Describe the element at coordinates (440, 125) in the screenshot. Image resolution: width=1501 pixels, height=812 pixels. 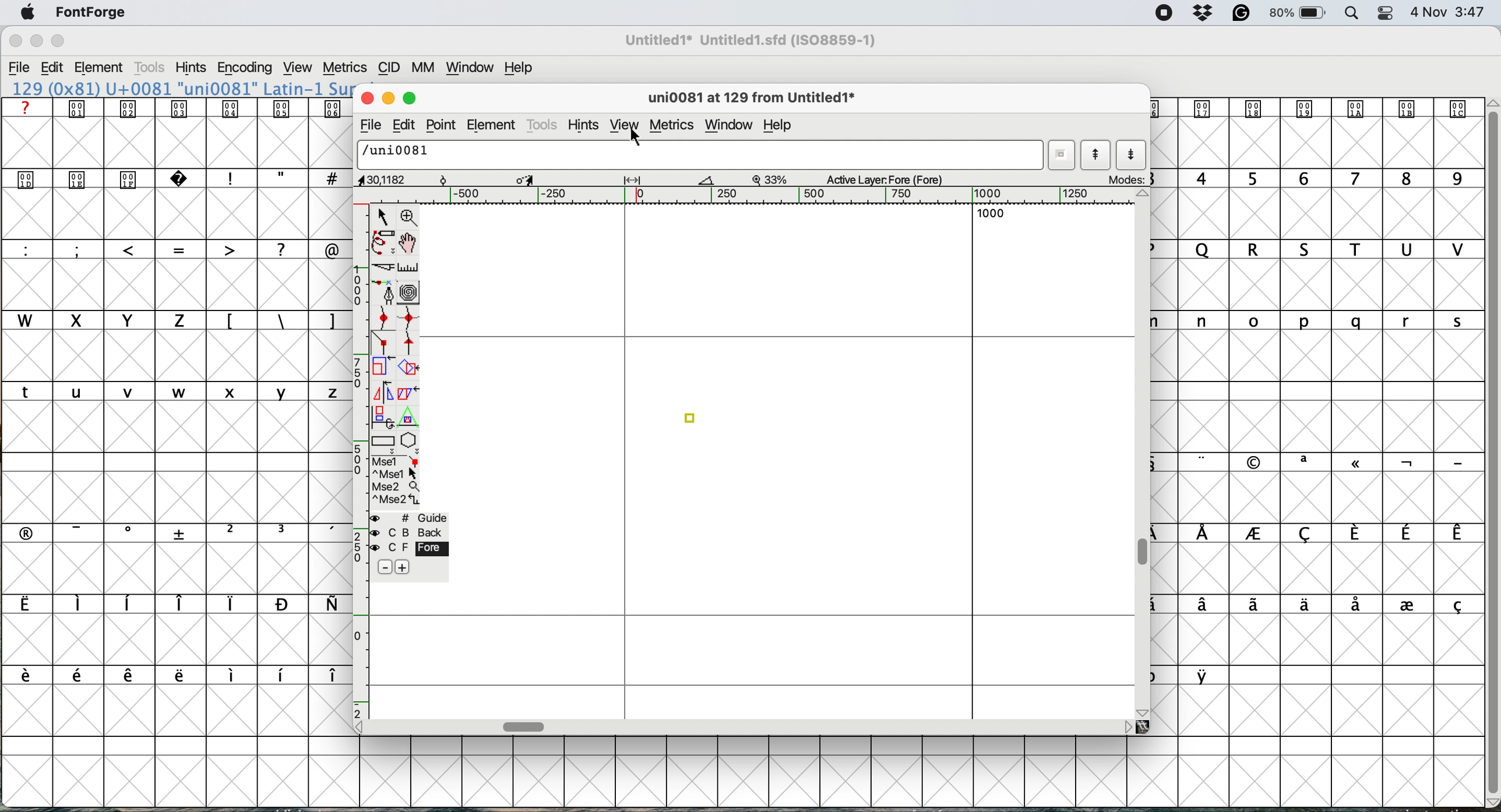
I see `point` at that location.